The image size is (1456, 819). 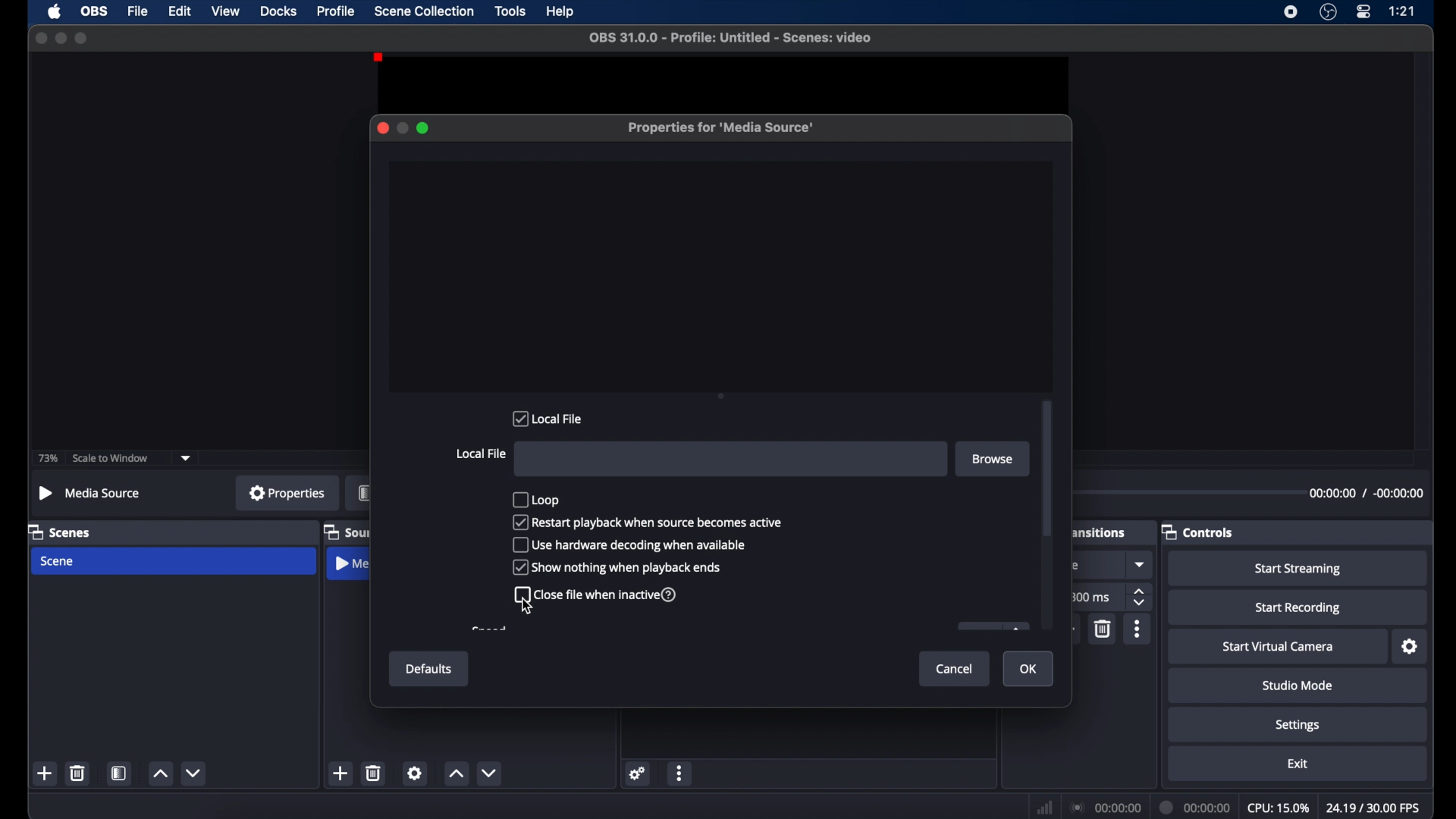 I want to click on use hardware decoding when available, so click(x=629, y=544).